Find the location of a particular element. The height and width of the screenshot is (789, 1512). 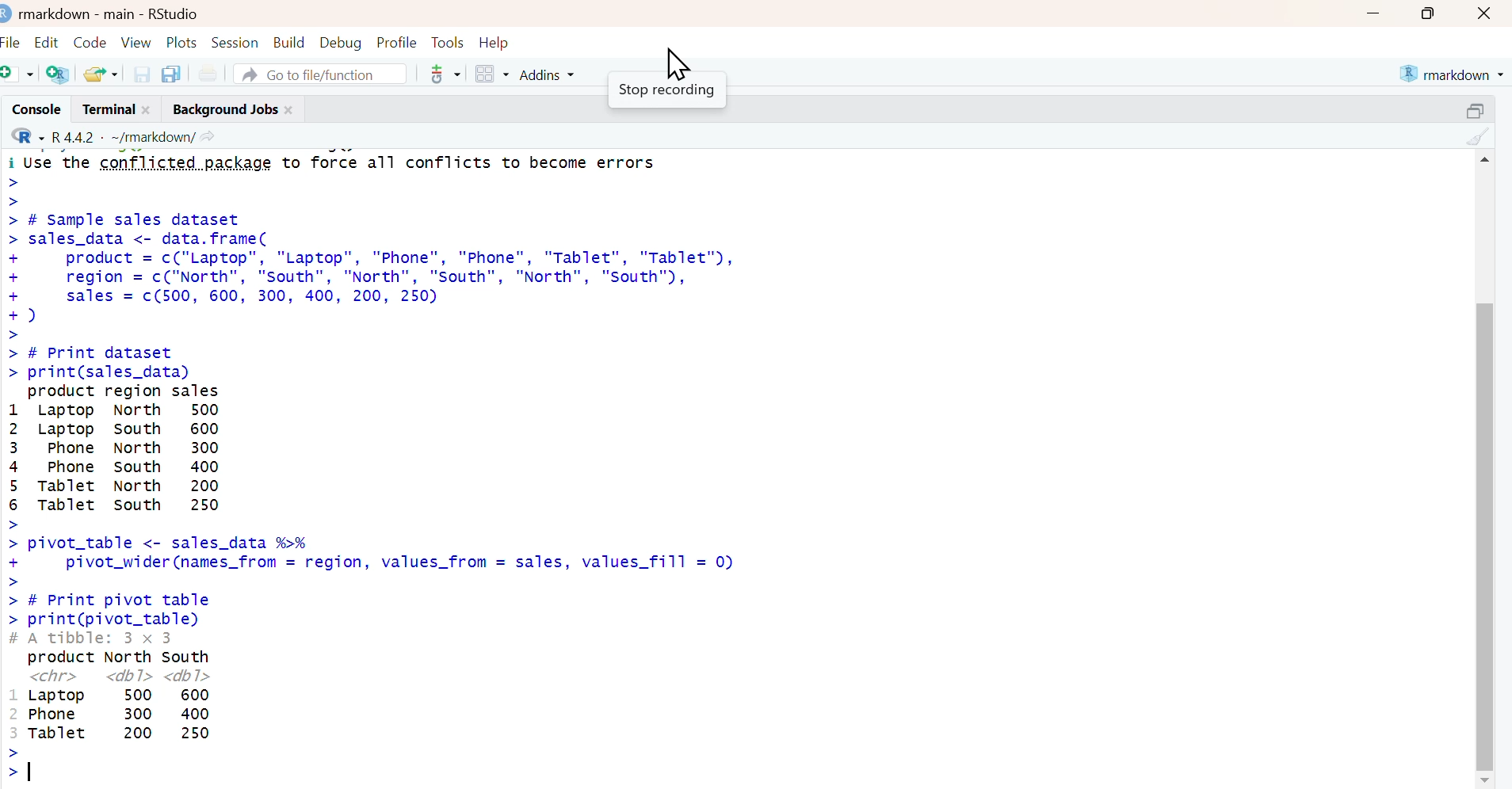

save all is located at coordinates (170, 73).